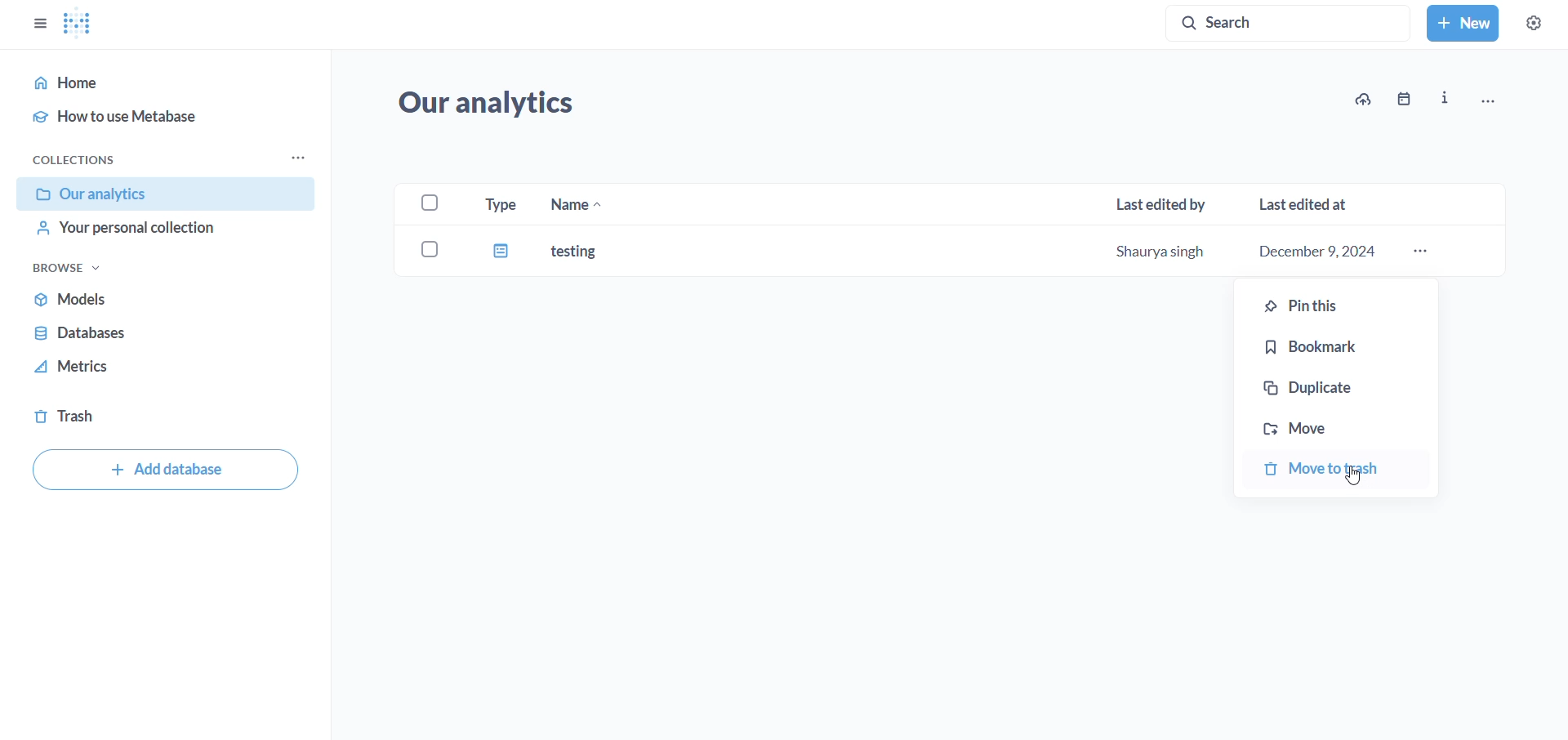 The image size is (1568, 740). Describe the element at coordinates (1444, 99) in the screenshot. I see `info` at that location.